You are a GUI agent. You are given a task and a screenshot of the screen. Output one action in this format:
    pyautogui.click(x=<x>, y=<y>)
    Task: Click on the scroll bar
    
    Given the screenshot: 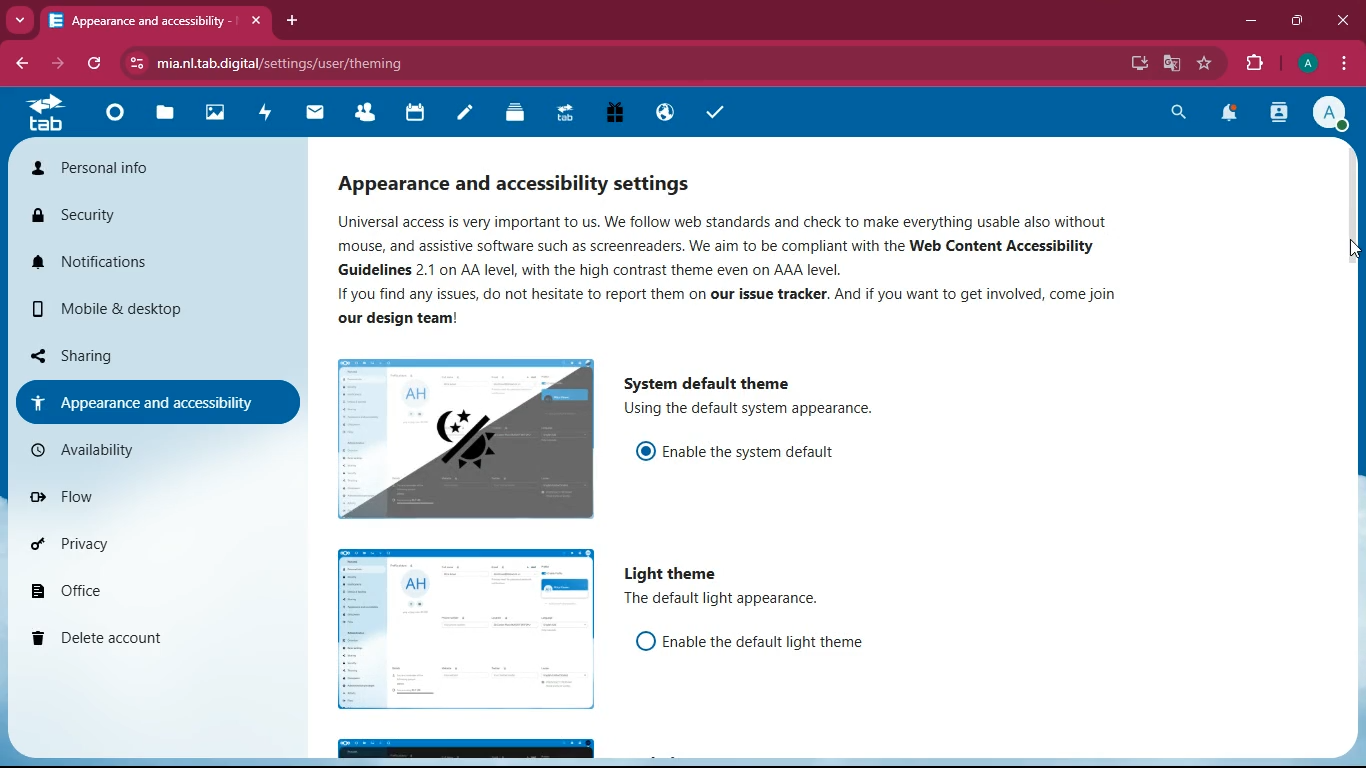 What is the action you would take?
    pyautogui.click(x=1347, y=213)
    